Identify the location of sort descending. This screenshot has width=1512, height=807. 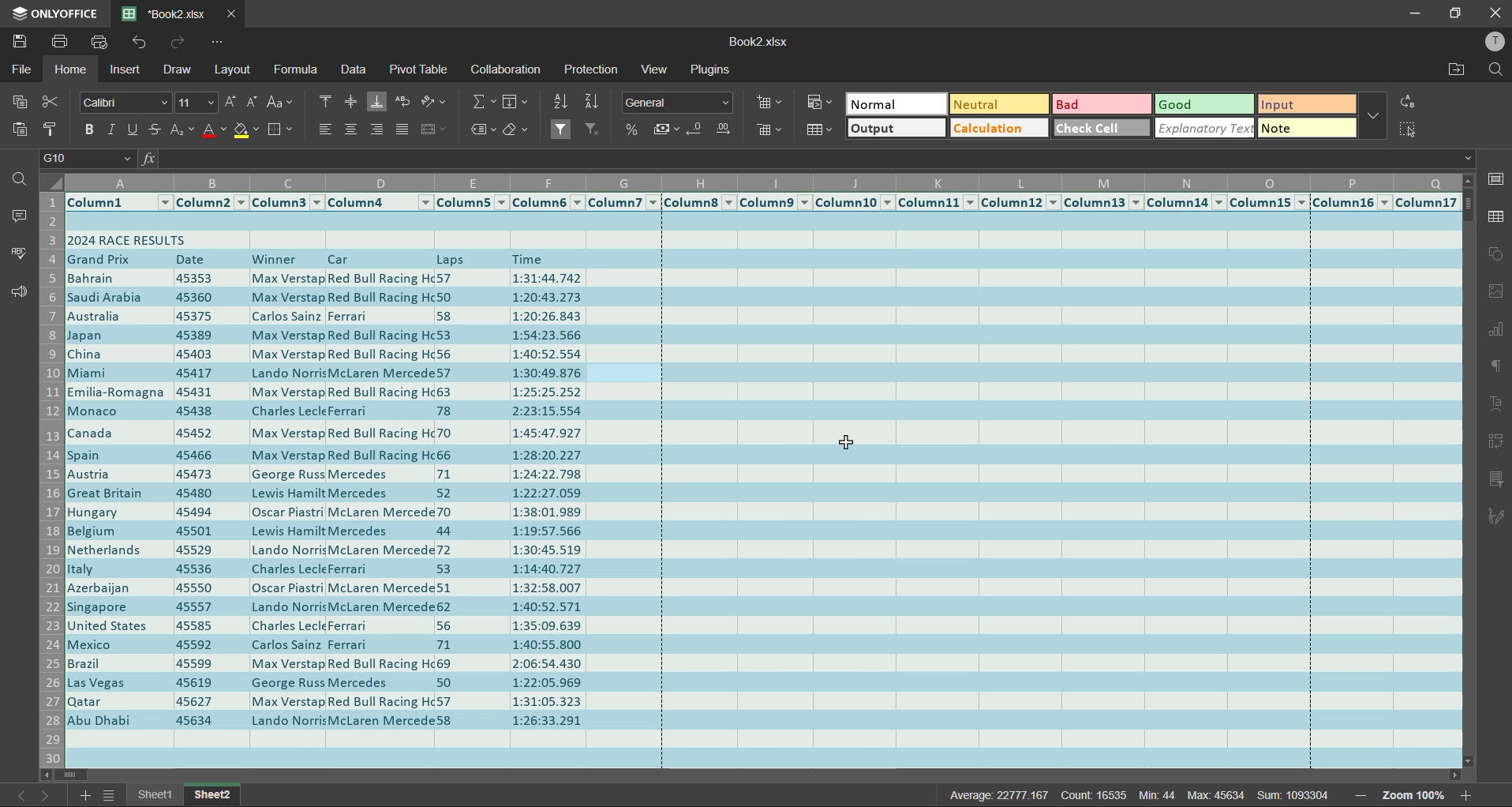
(592, 102).